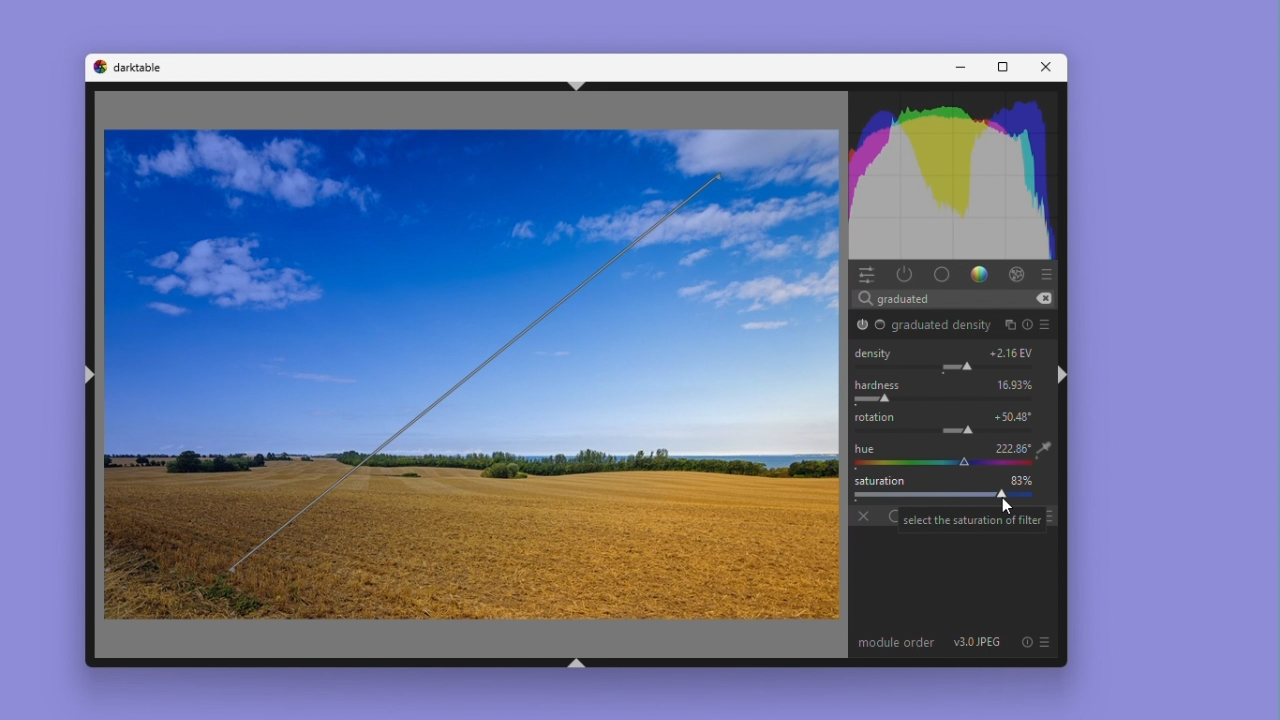 This screenshot has width=1280, height=720. What do you see at coordinates (1029, 324) in the screenshot?
I see `reset` at bounding box center [1029, 324].